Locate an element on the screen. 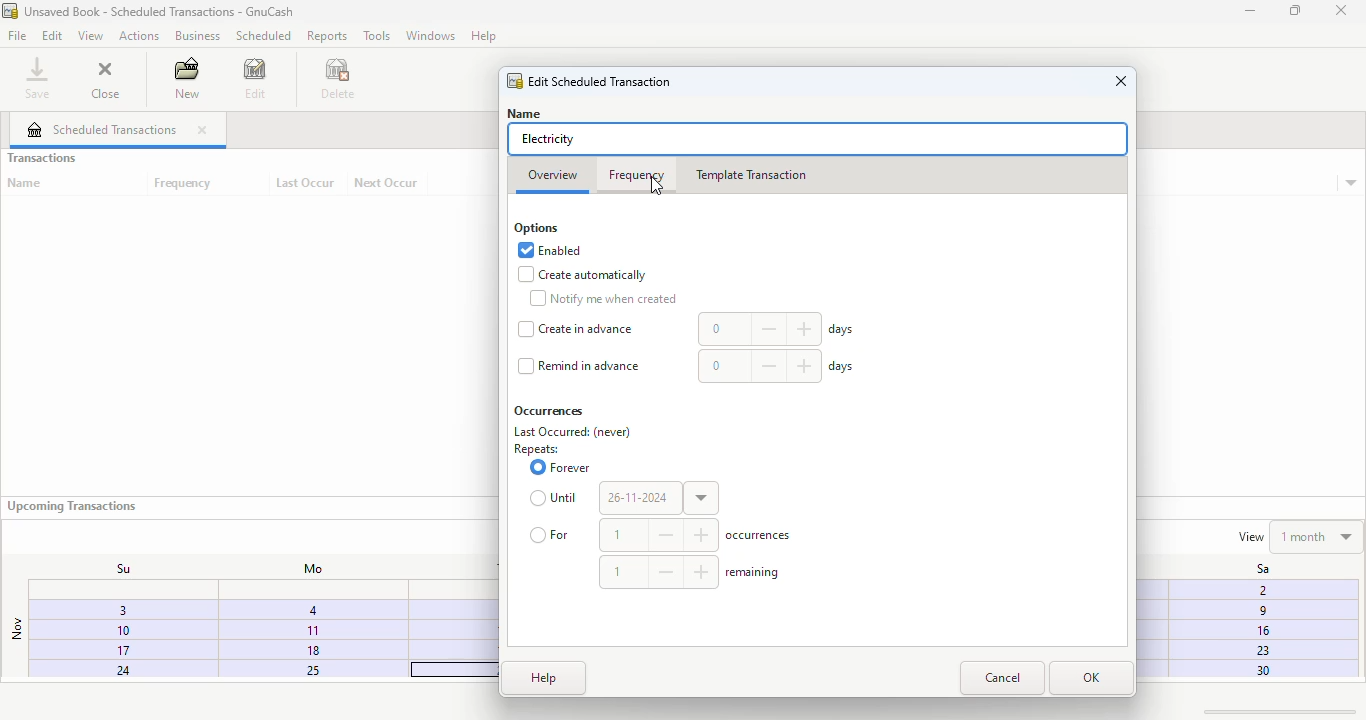 The height and width of the screenshot is (720, 1366). 26-11-2024 is located at coordinates (659, 498).